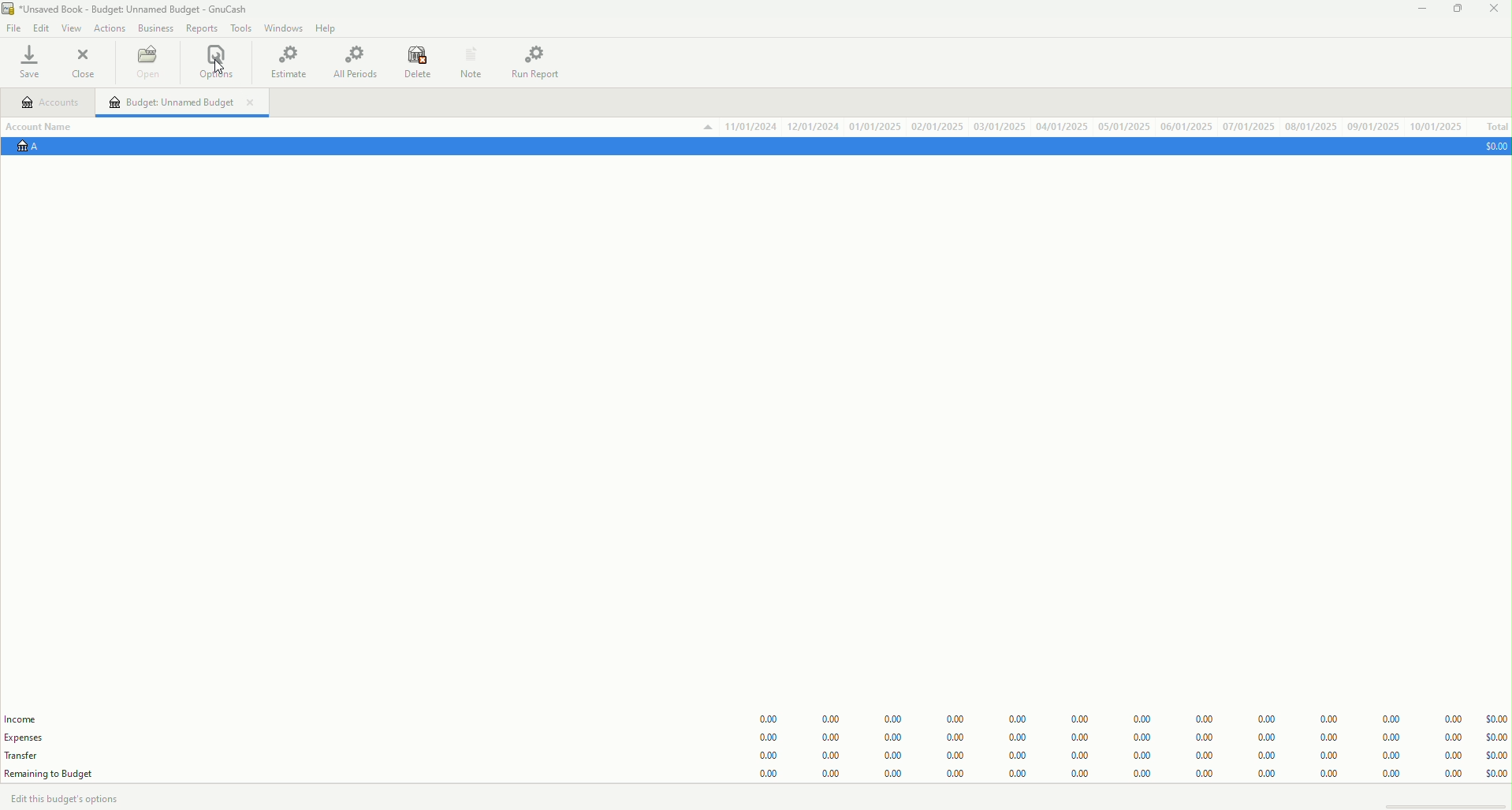 The height and width of the screenshot is (810, 1512). I want to click on cursor, so click(215, 69).